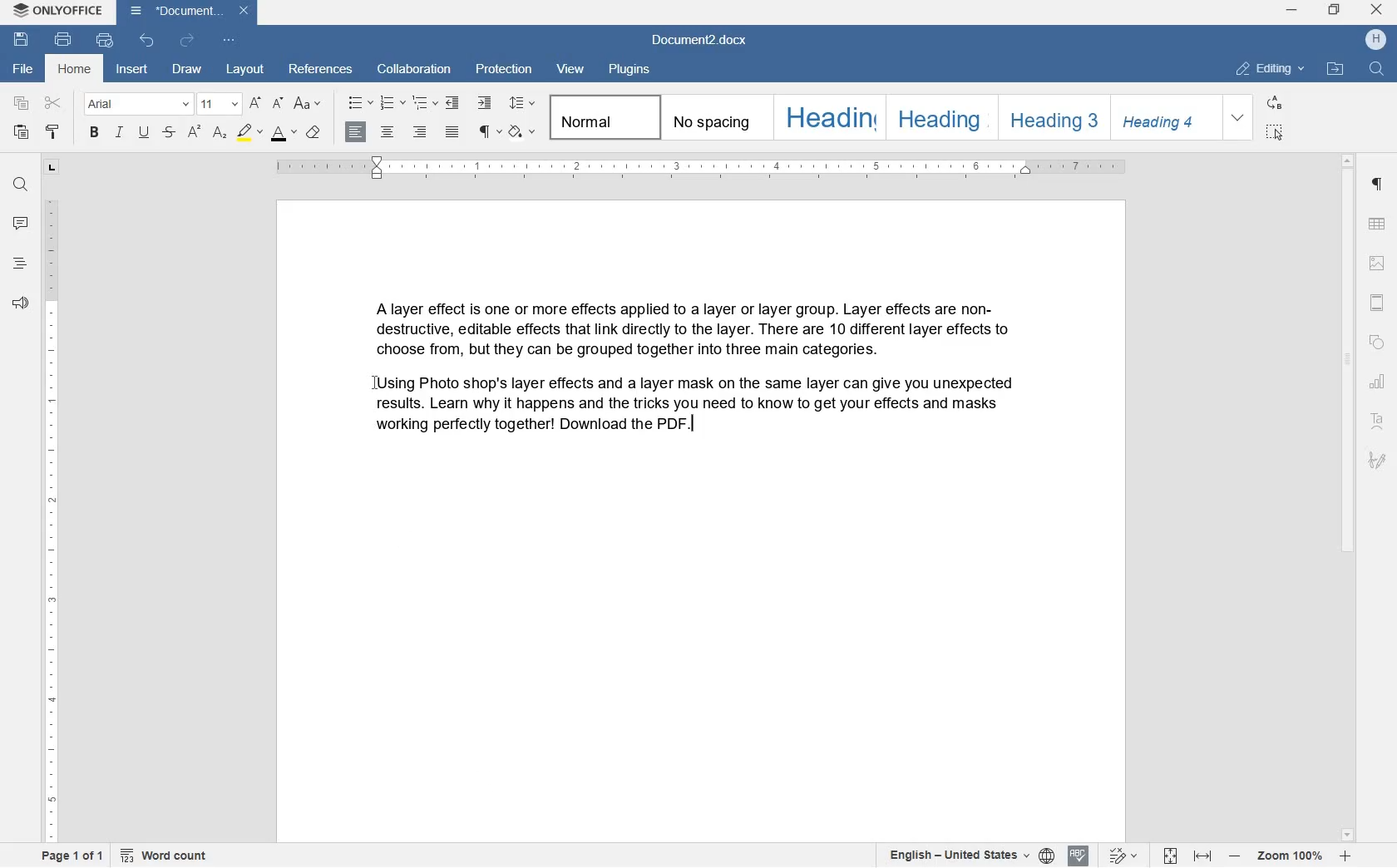 The height and width of the screenshot is (868, 1397). Describe the element at coordinates (1378, 223) in the screenshot. I see `TABLE` at that location.